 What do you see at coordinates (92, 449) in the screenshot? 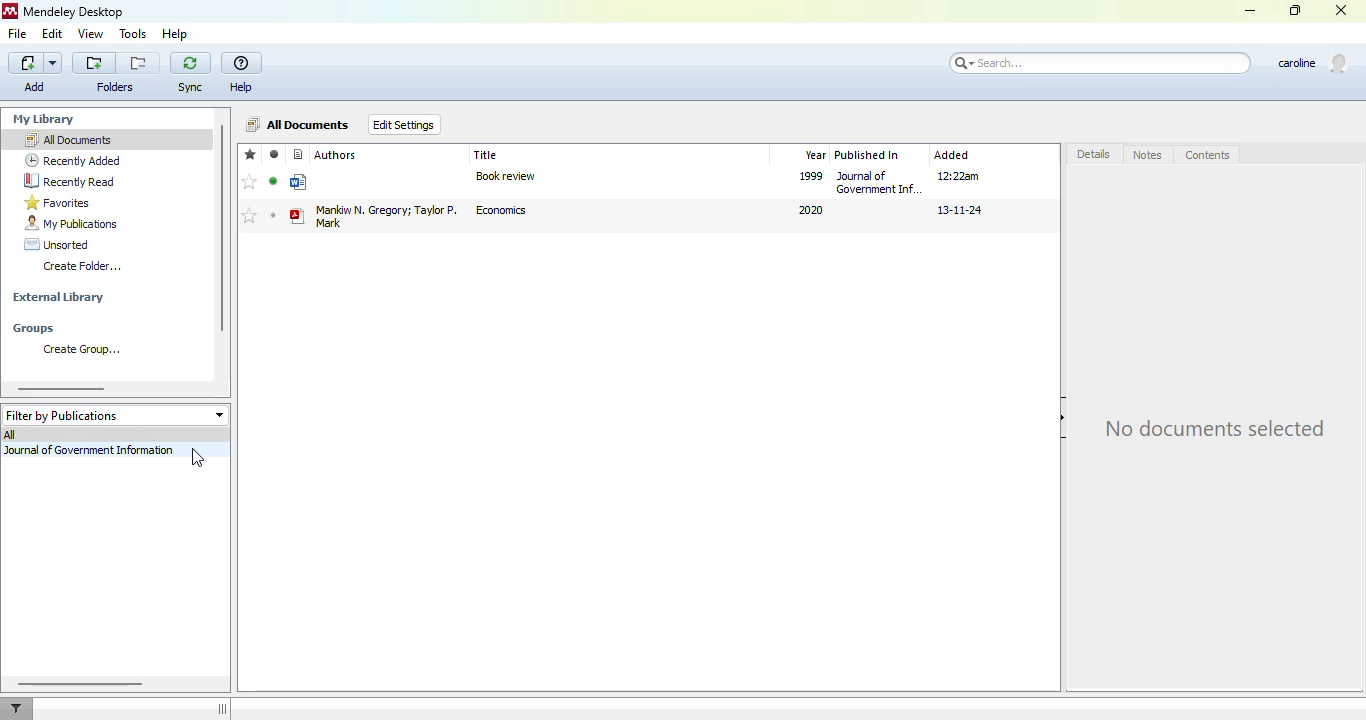
I see `journal of government information` at bounding box center [92, 449].